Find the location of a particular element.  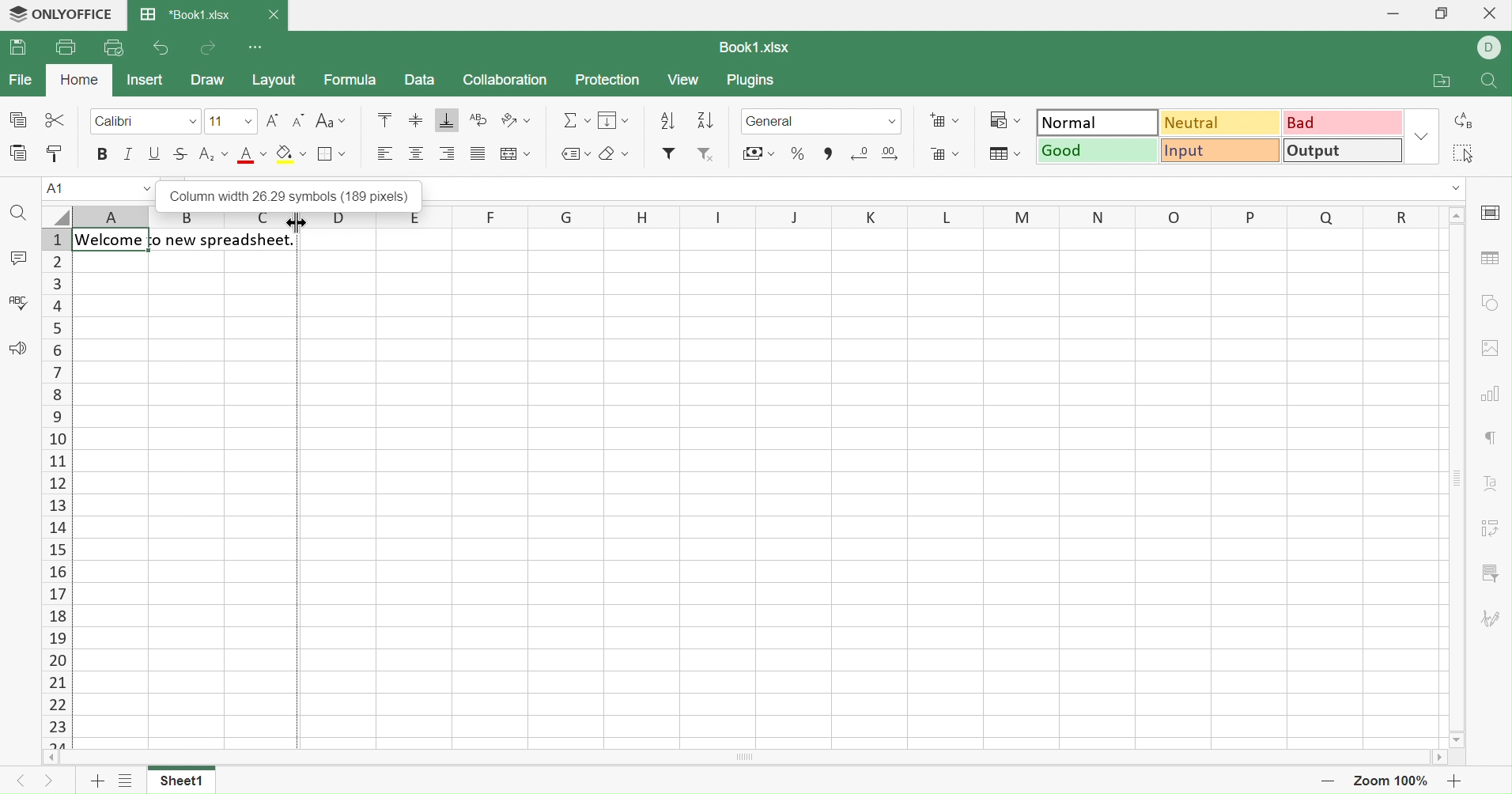

Underline is located at coordinates (156, 153).